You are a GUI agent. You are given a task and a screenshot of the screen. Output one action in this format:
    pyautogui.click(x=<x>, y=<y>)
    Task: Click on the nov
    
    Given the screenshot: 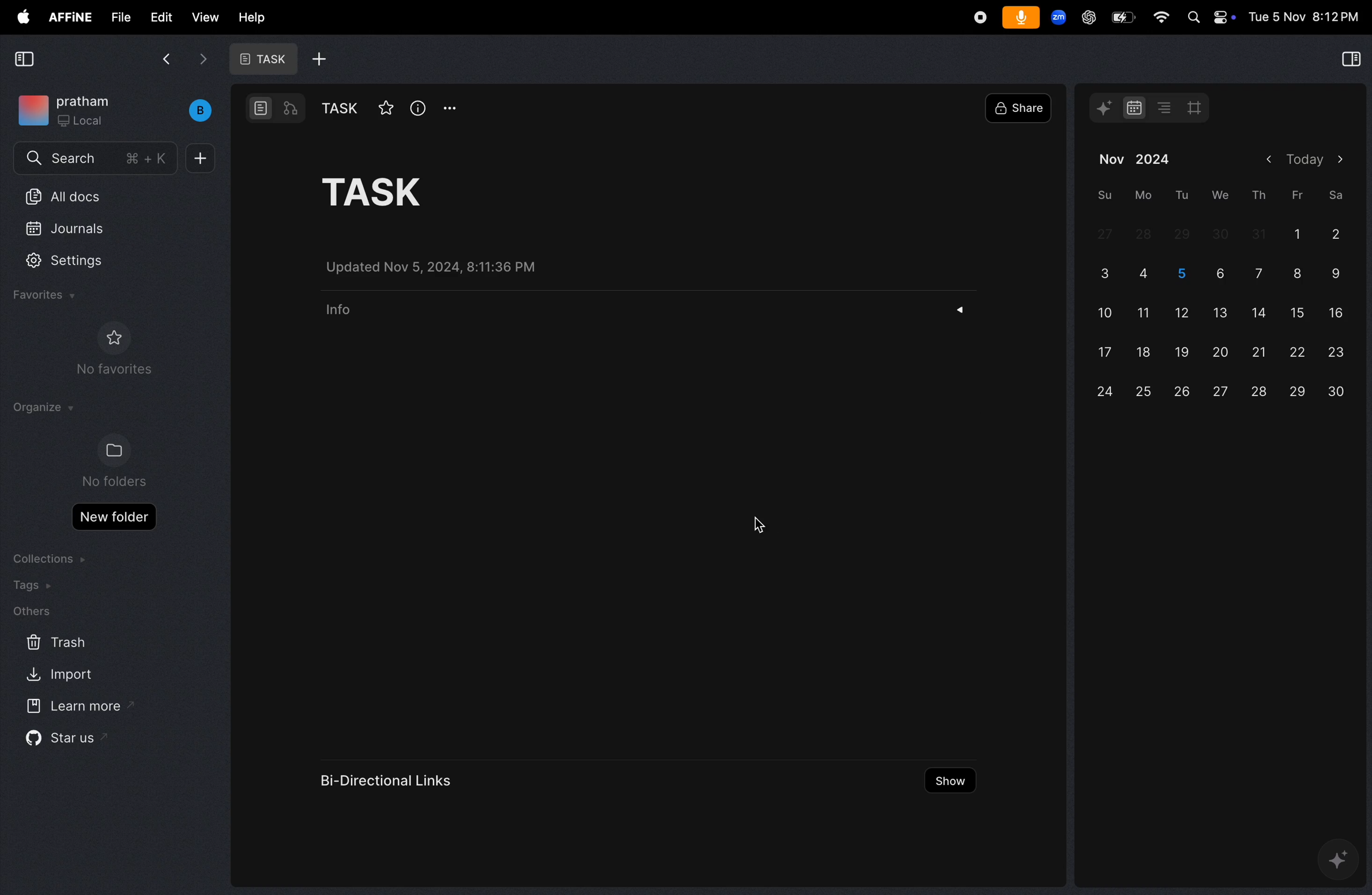 What is the action you would take?
    pyautogui.click(x=1109, y=157)
    